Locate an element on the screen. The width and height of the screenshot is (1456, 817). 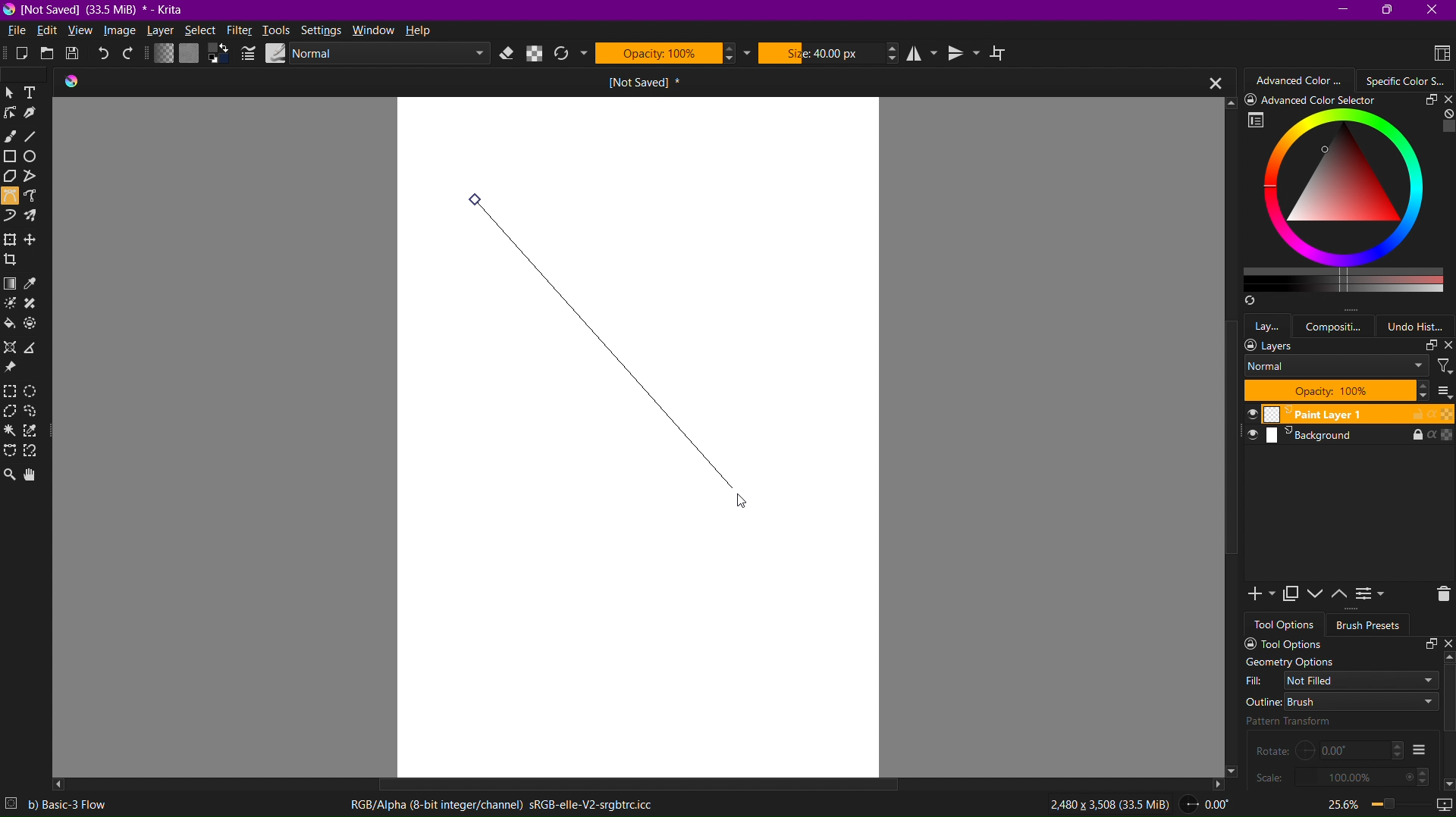
Layers is located at coordinates (1348, 346).